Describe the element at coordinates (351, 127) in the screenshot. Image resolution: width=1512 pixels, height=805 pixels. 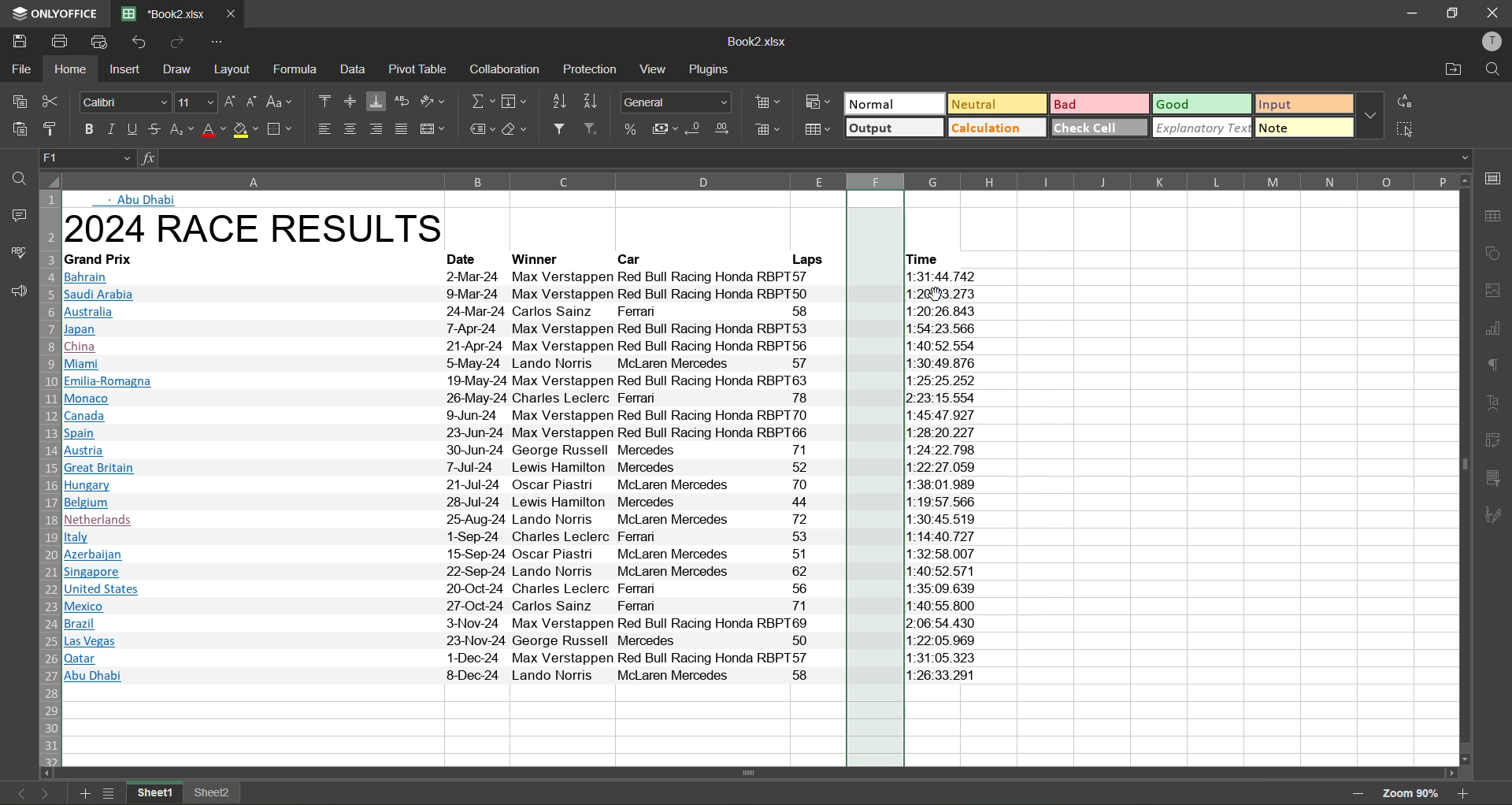
I see `align center` at that location.